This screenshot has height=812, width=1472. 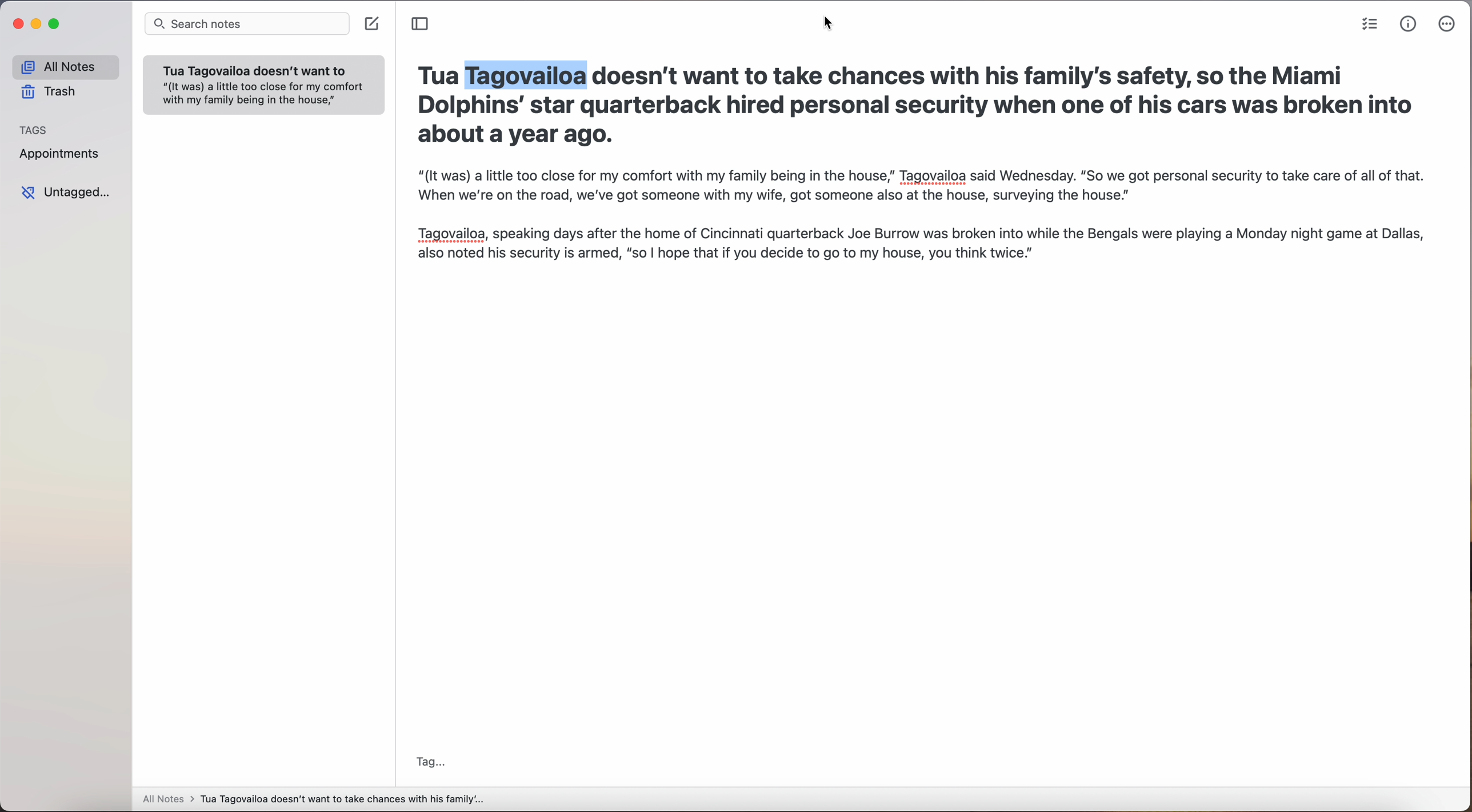 I want to click on tags, so click(x=34, y=129).